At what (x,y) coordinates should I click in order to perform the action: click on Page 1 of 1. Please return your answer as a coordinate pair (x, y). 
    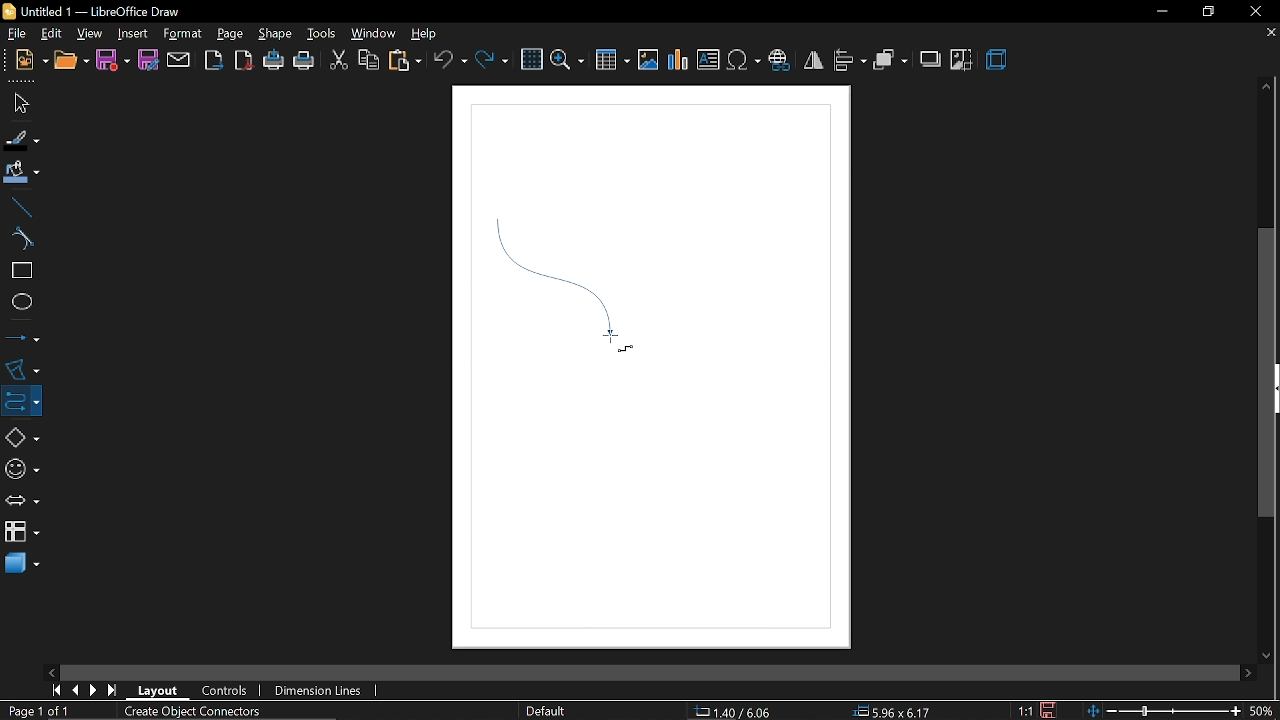
    Looking at the image, I should click on (44, 711).